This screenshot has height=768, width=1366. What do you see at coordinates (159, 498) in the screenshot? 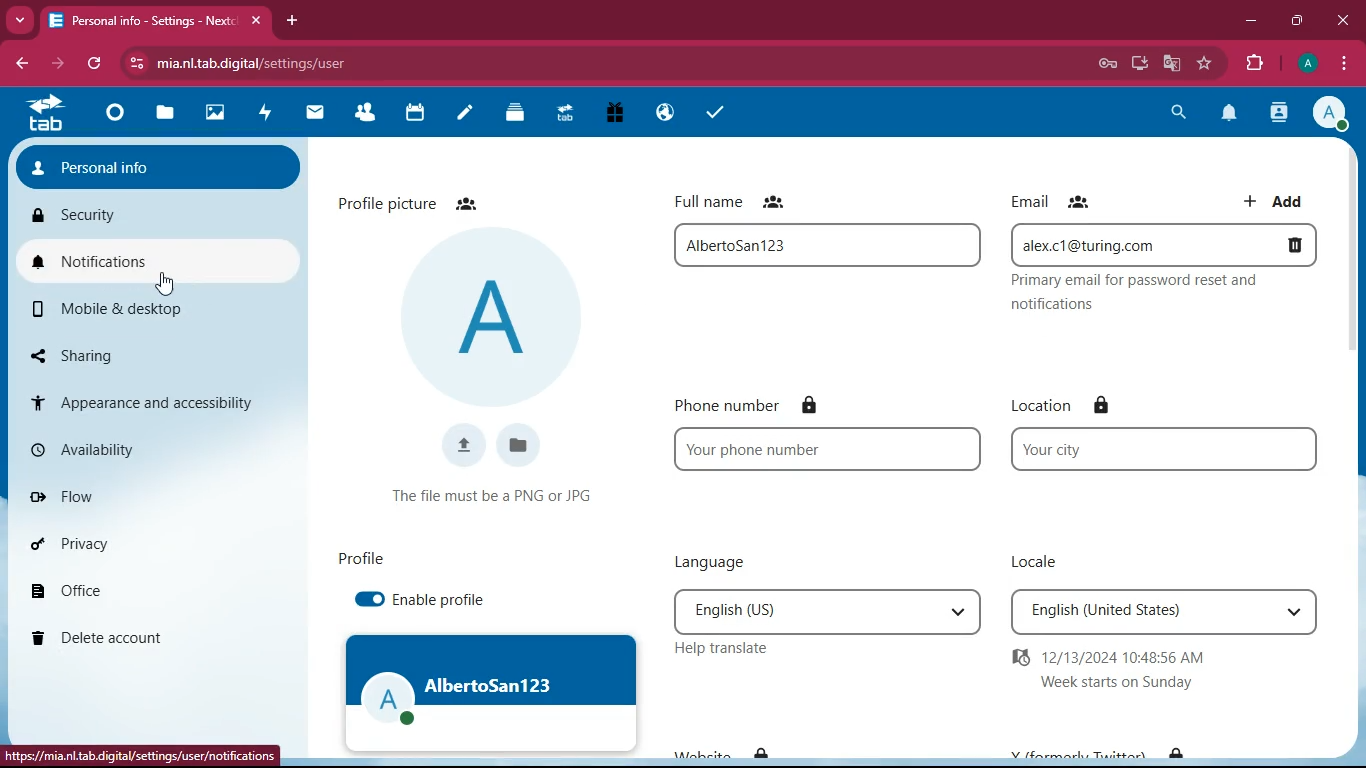
I see `flow` at bounding box center [159, 498].